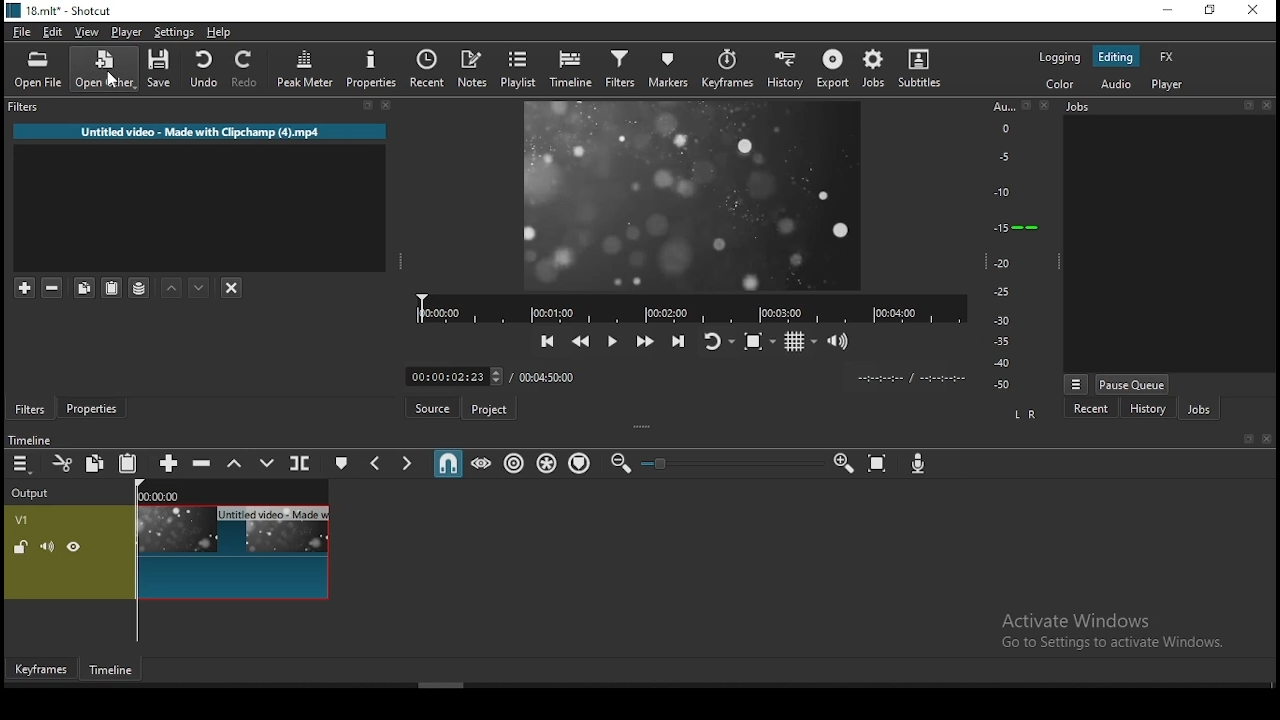  I want to click on cursor, so click(115, 77).